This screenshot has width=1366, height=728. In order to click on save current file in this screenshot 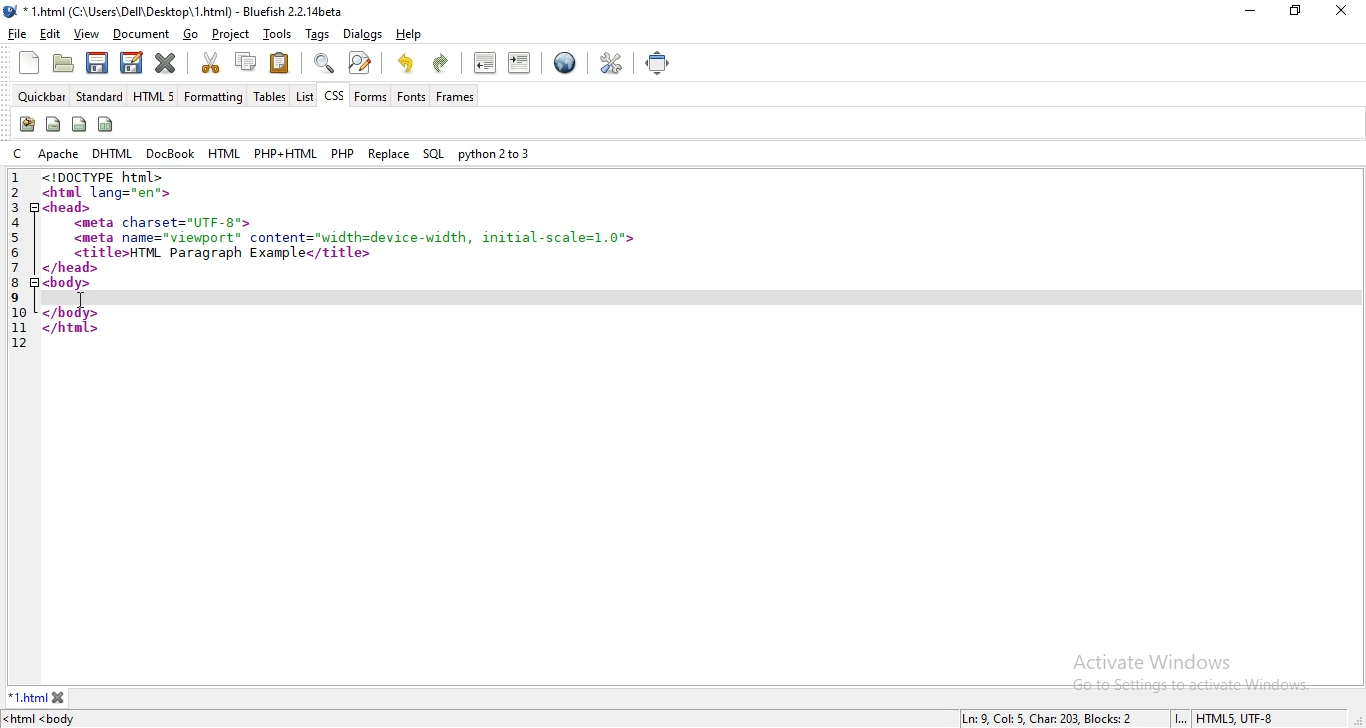, I will do `click(97, 61)`.